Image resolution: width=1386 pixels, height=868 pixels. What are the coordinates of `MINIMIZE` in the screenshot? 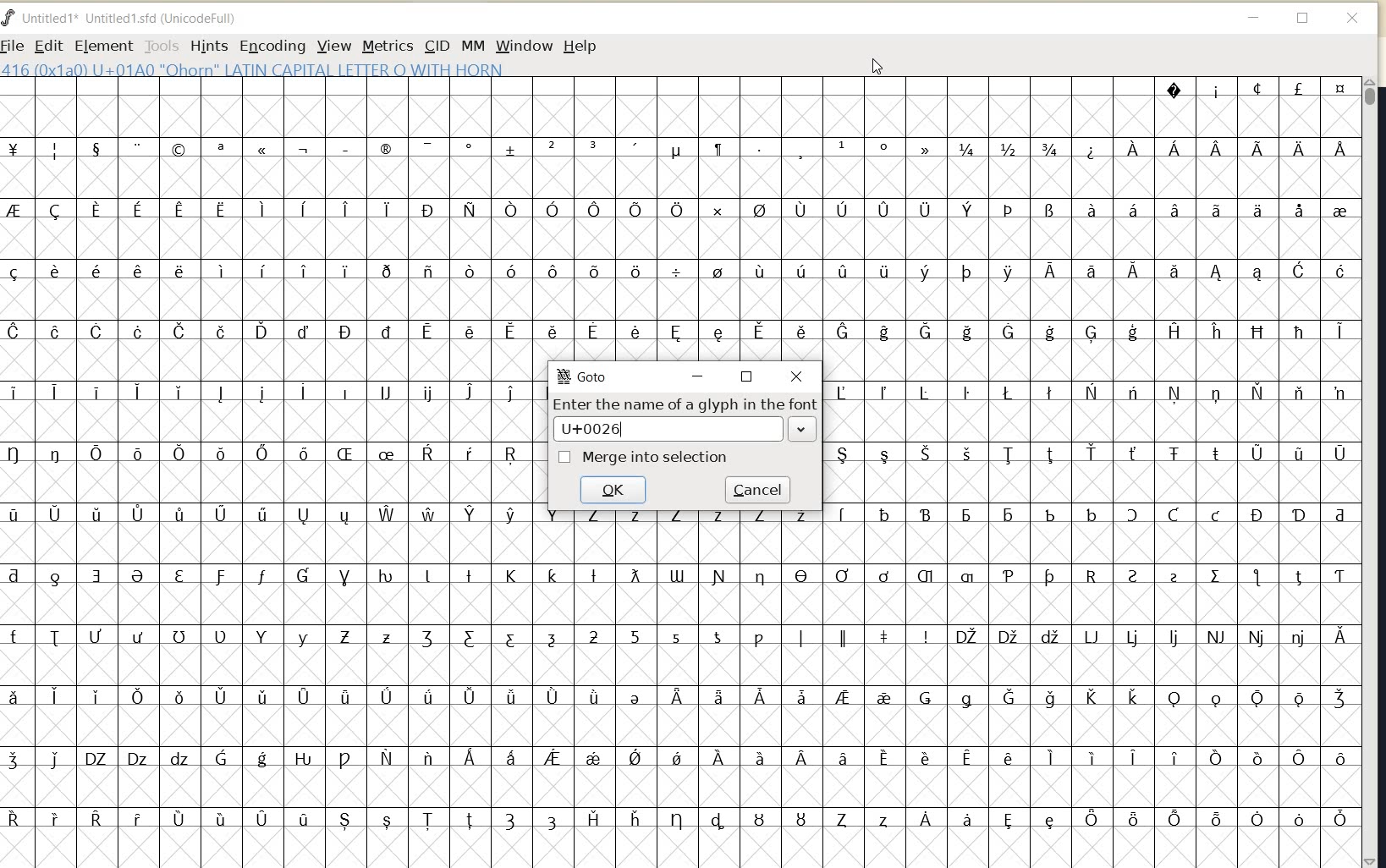 It's located at (1255, 17).